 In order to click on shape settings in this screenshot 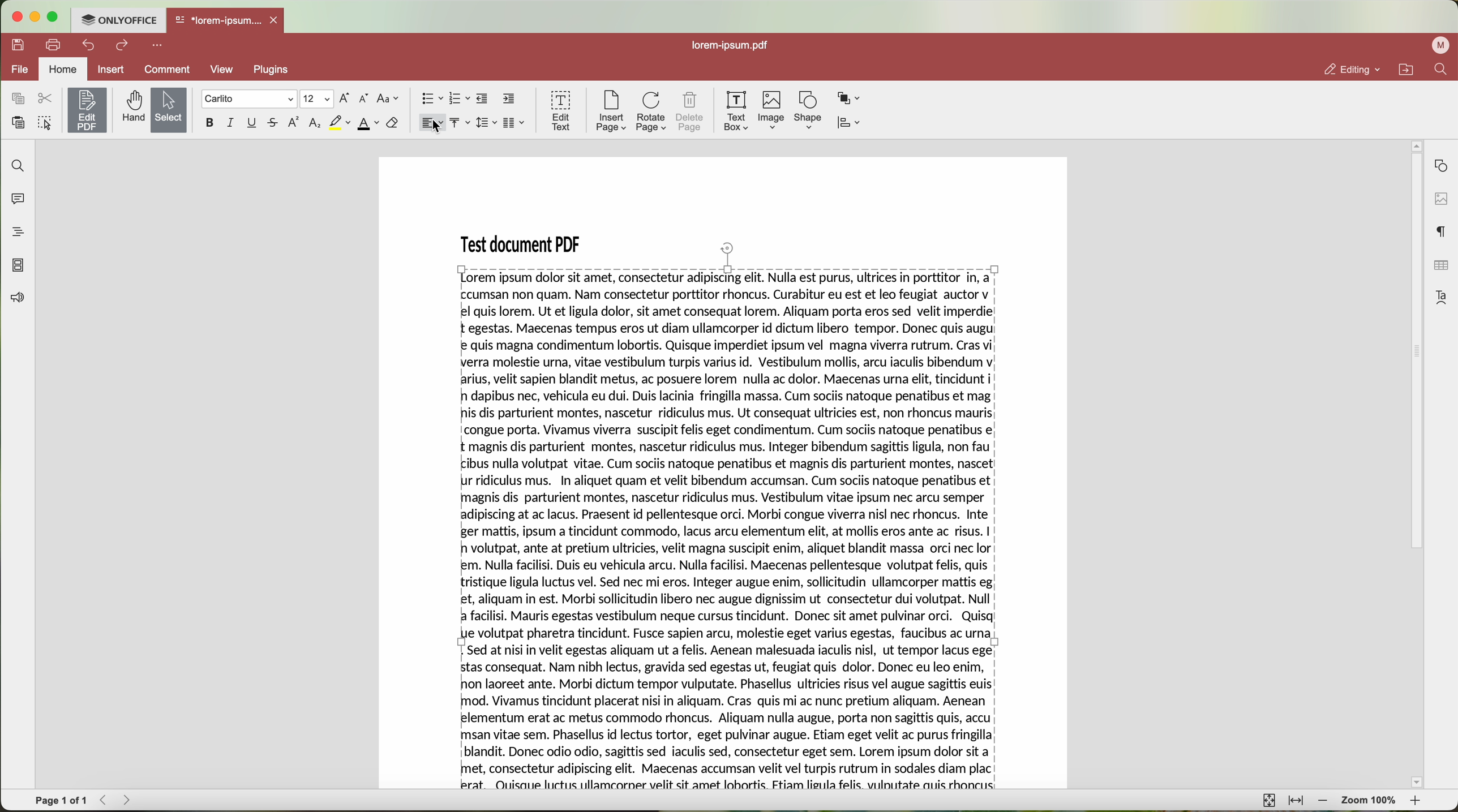, I will do `click(1440, 165)`.